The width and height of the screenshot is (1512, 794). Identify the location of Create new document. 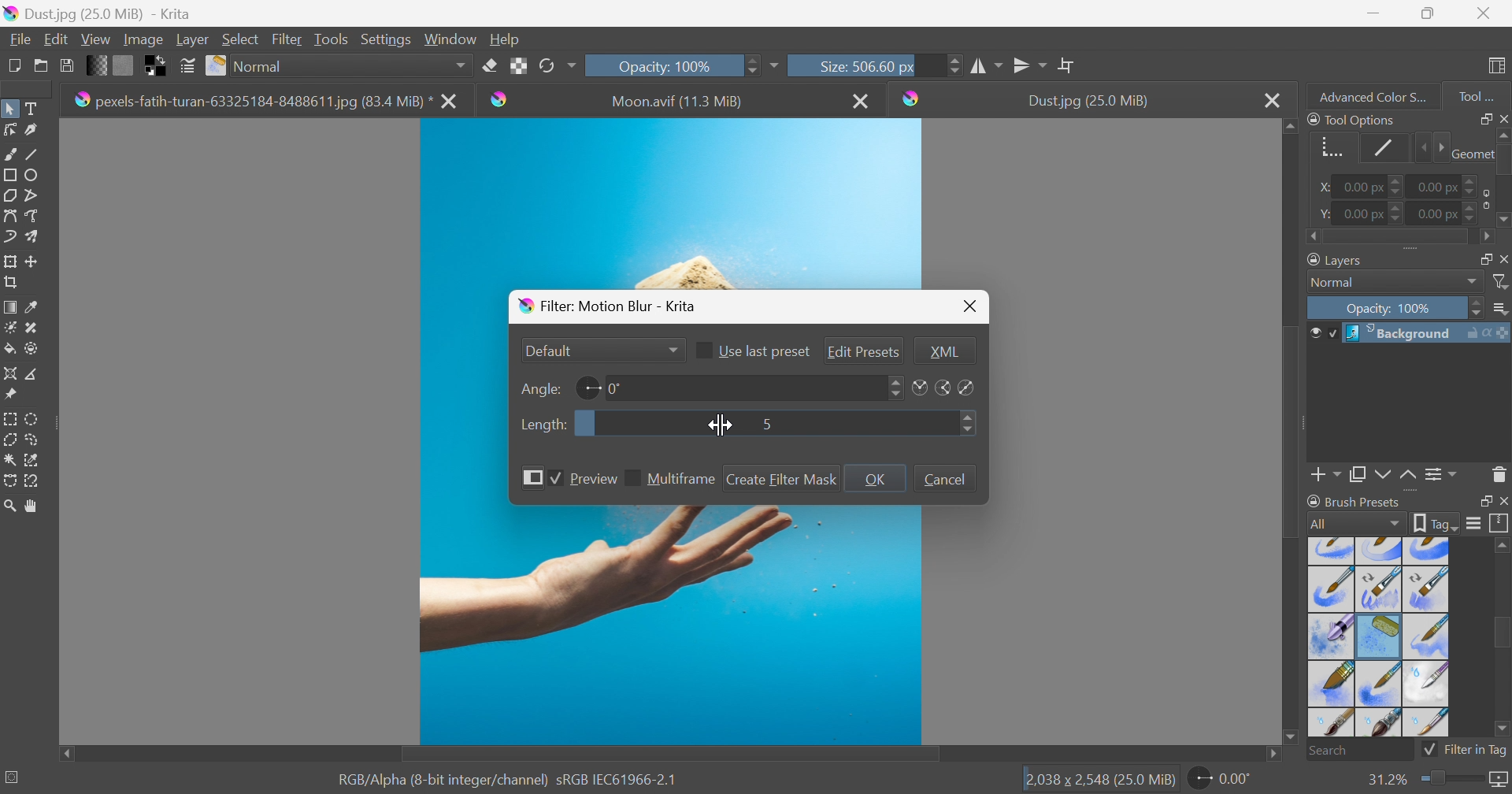
(13, 65).